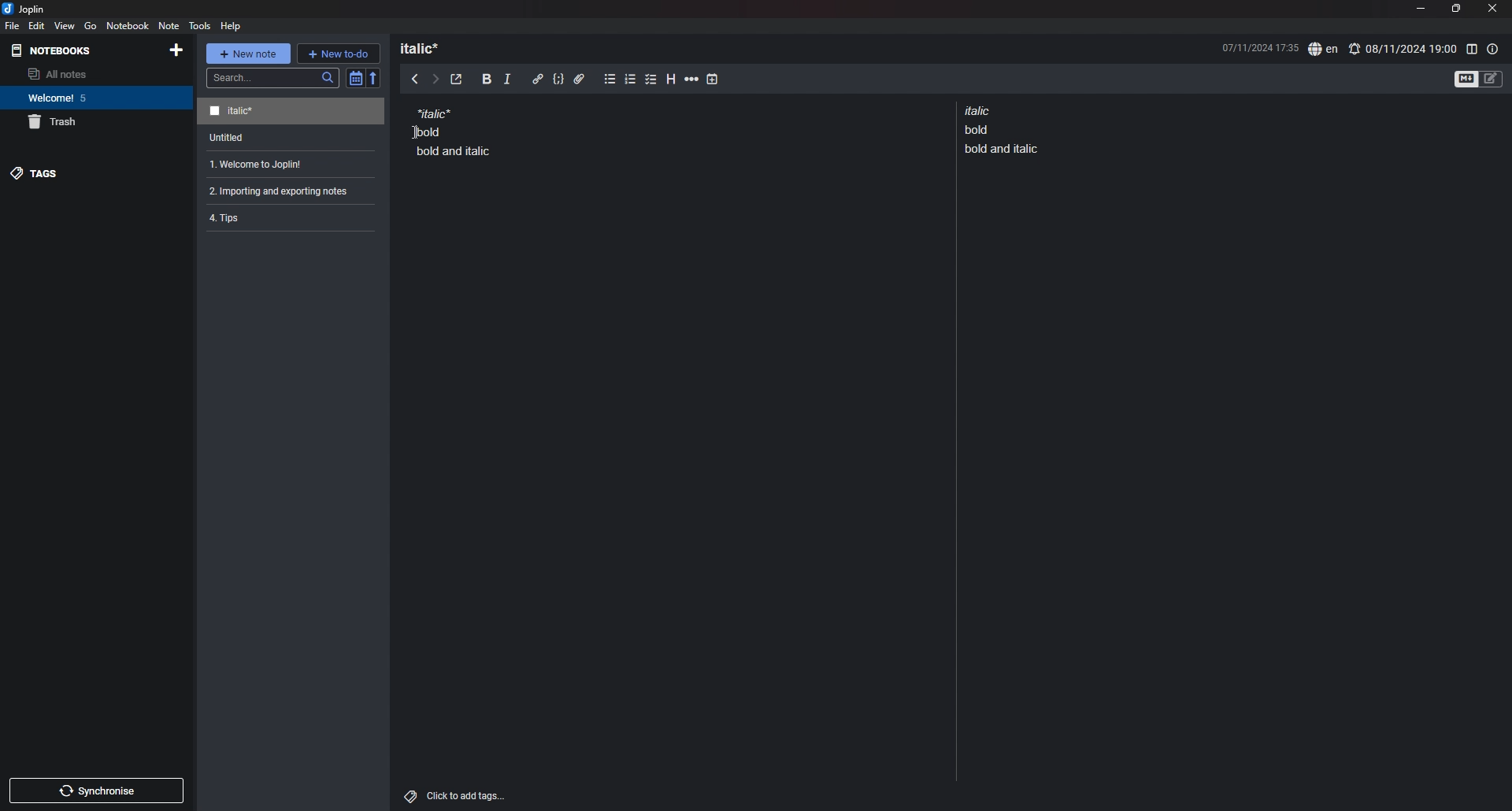  I want to click on tools, so click(200, 25).